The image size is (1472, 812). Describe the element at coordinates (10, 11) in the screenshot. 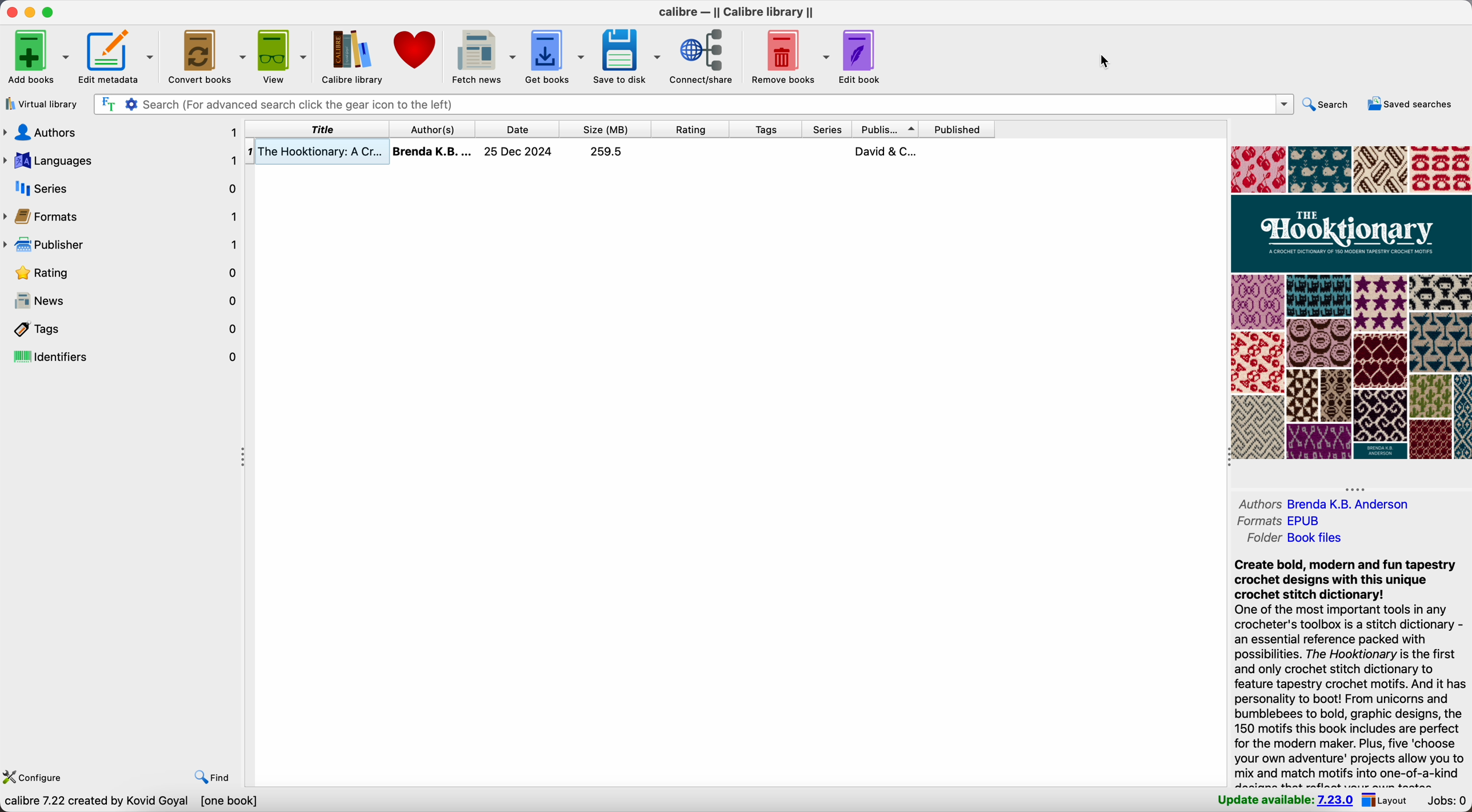

I see `close program` at that location.